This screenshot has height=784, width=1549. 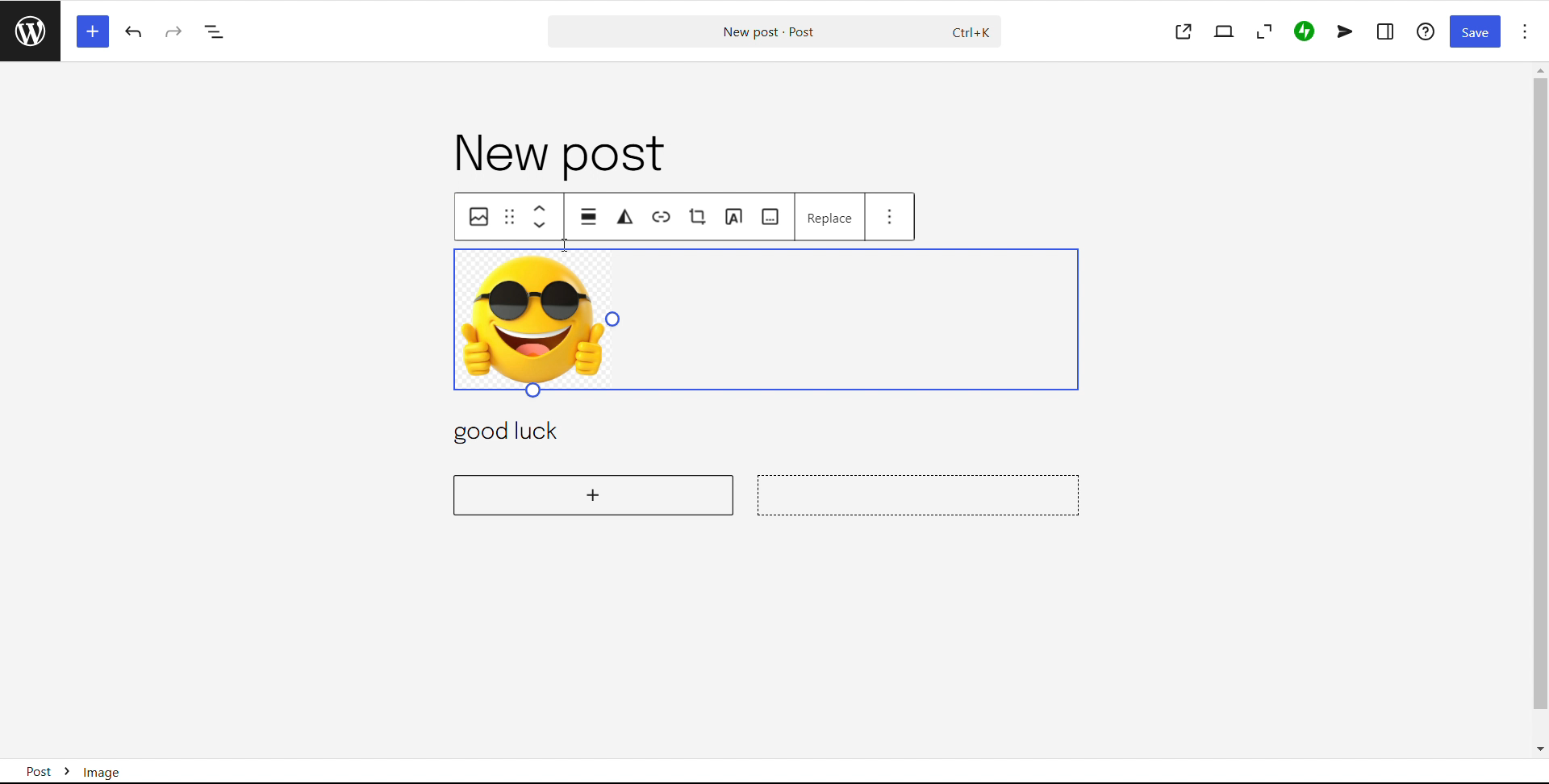 I want to click on move left or right, so click(x=543, y=219).